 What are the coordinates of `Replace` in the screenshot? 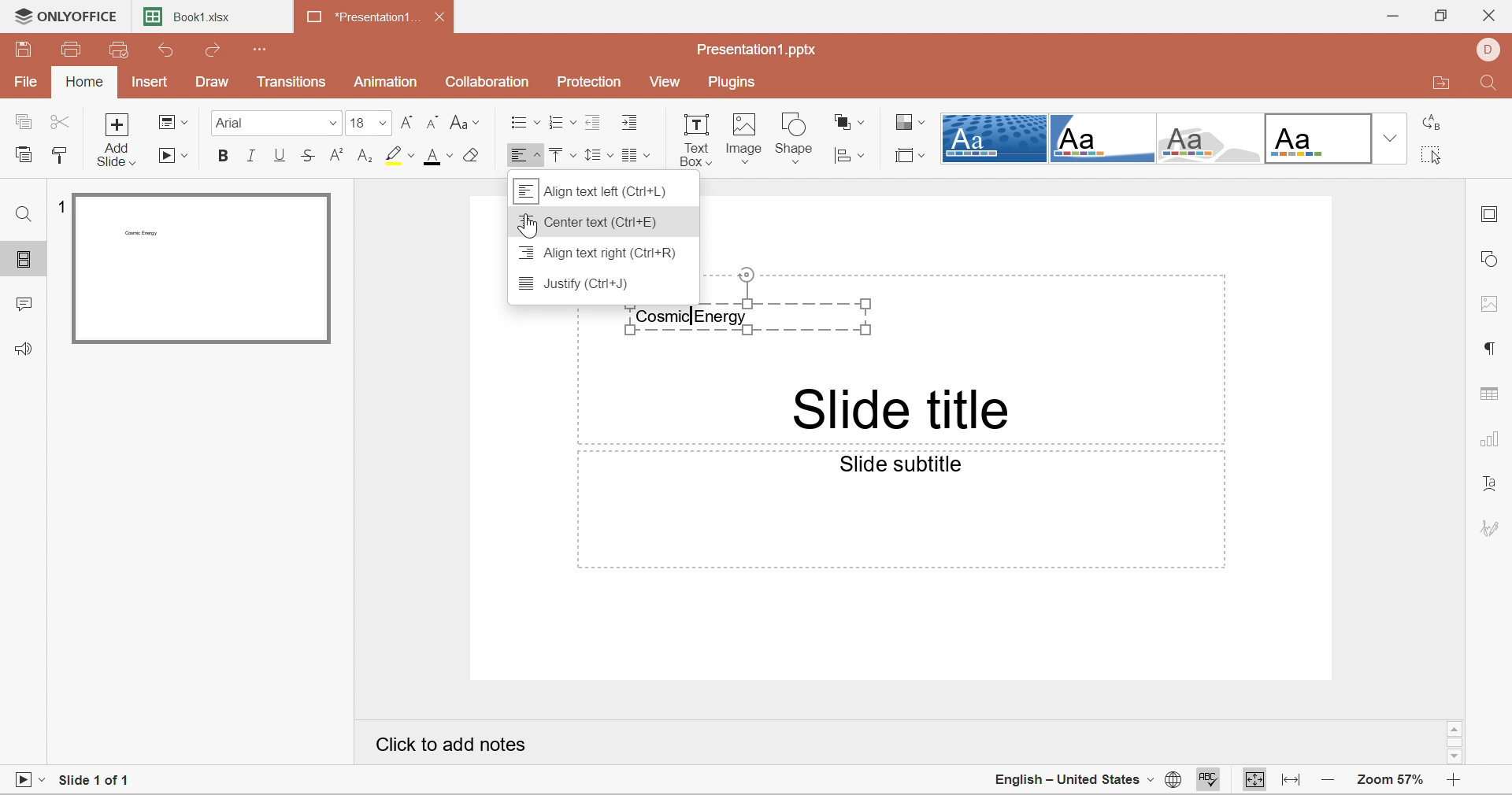 It's located at (1436, 122).